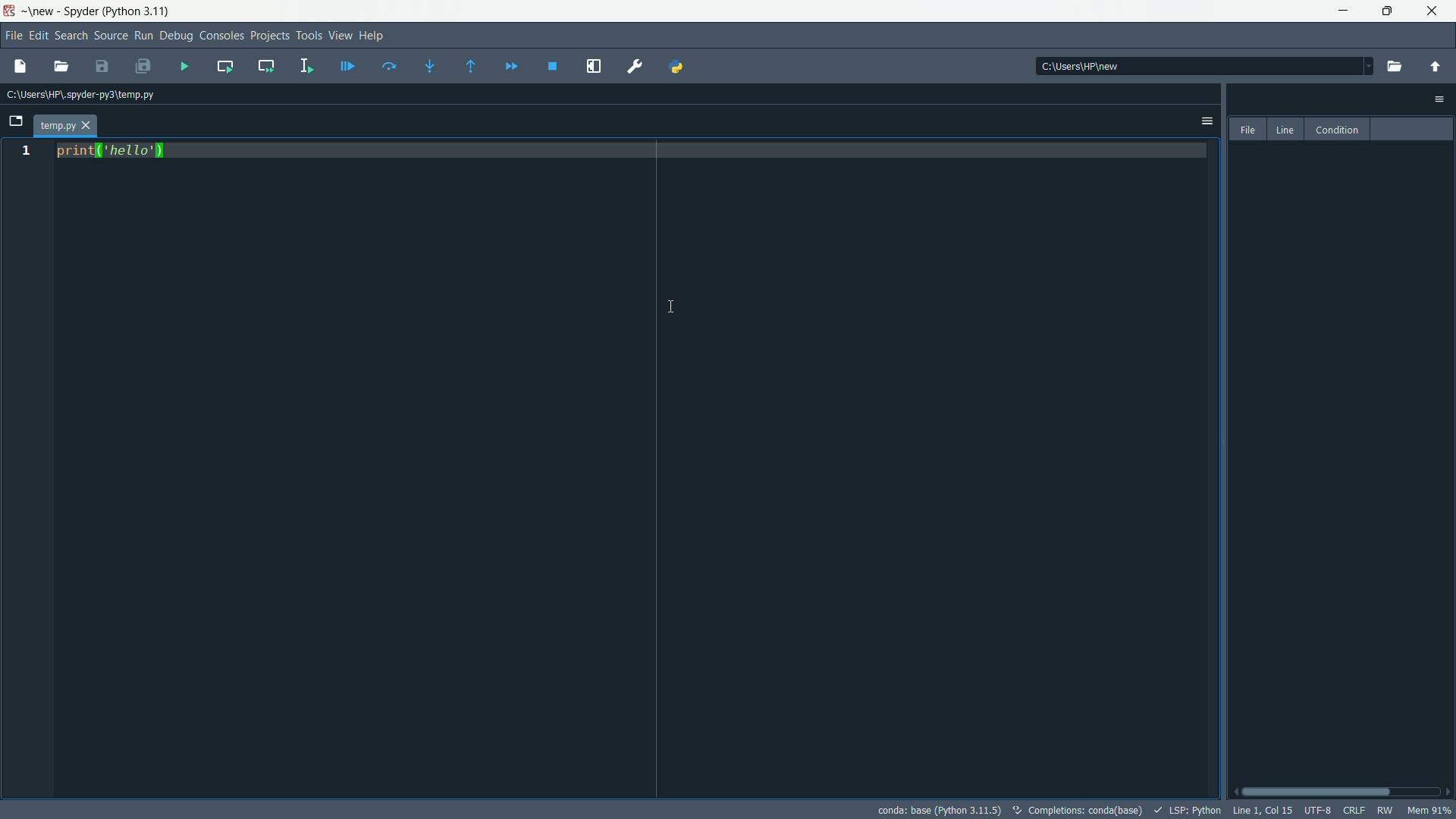 This screenshot has width=1456, height=819. Describe the element at coordinates (1317, 810) in the screenshot. I see `file encoding` at that location.